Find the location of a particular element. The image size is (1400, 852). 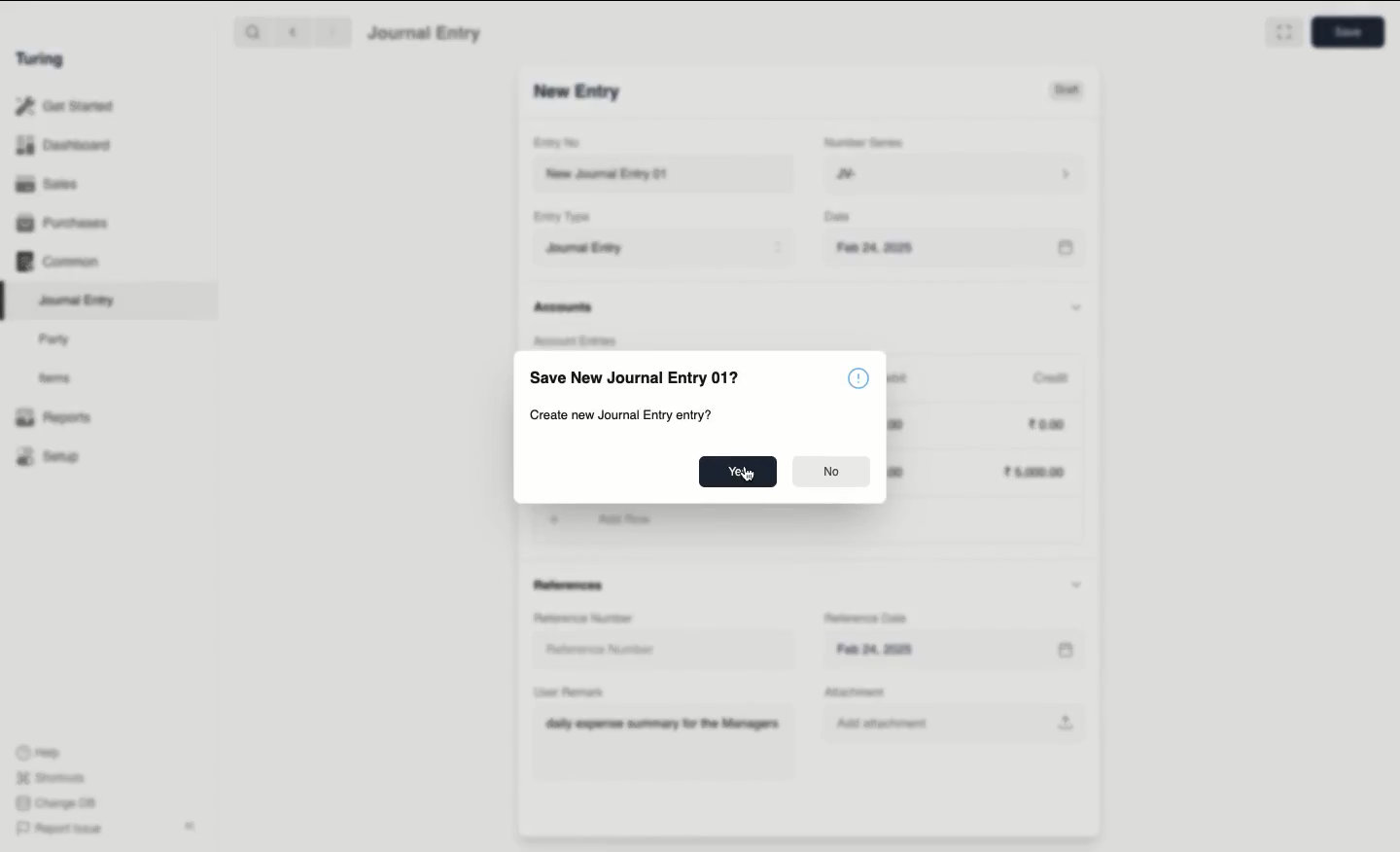

No is located at coordinates (833, 472).